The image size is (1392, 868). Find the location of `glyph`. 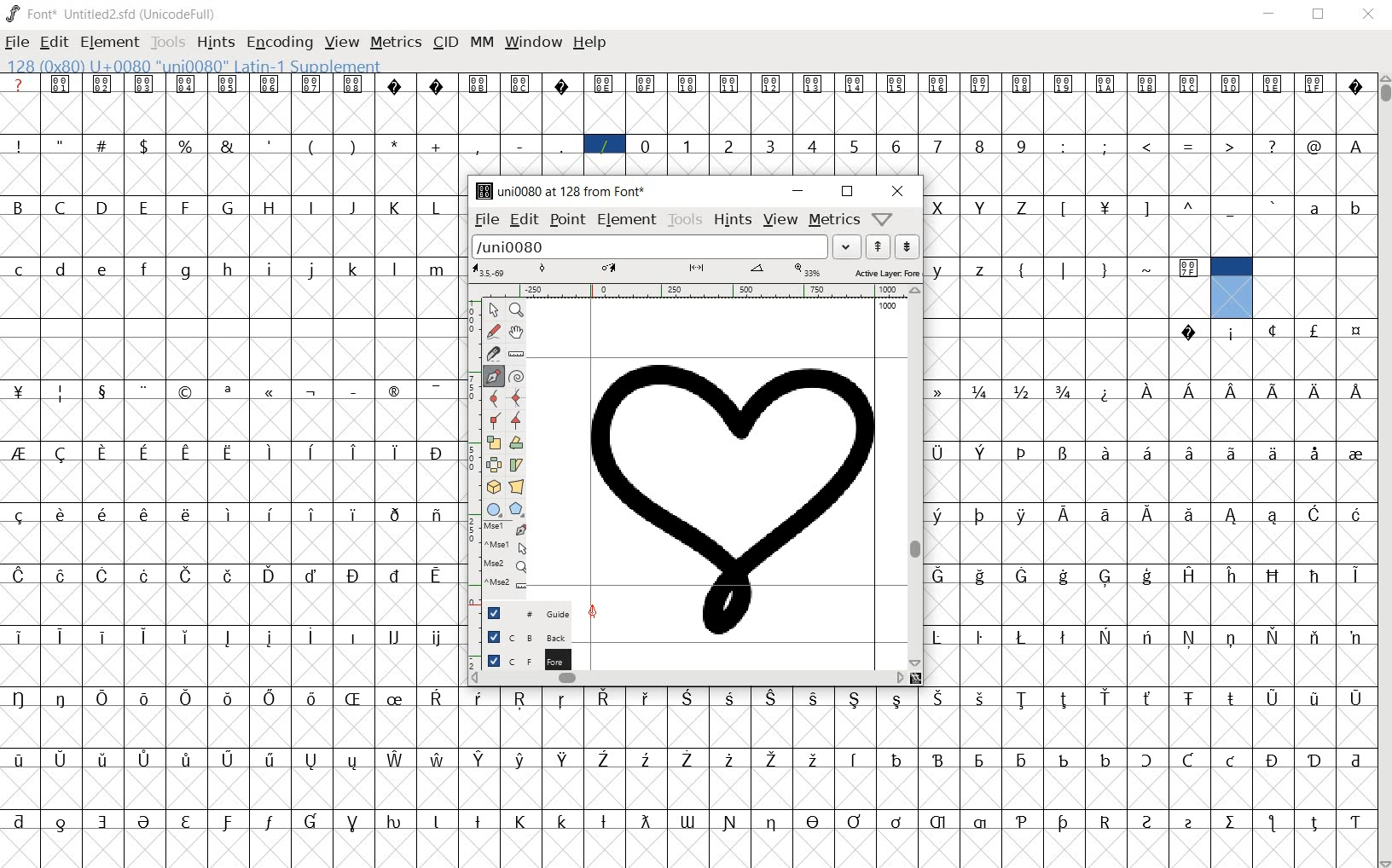

glyph is located at coordinates (1023, 761).